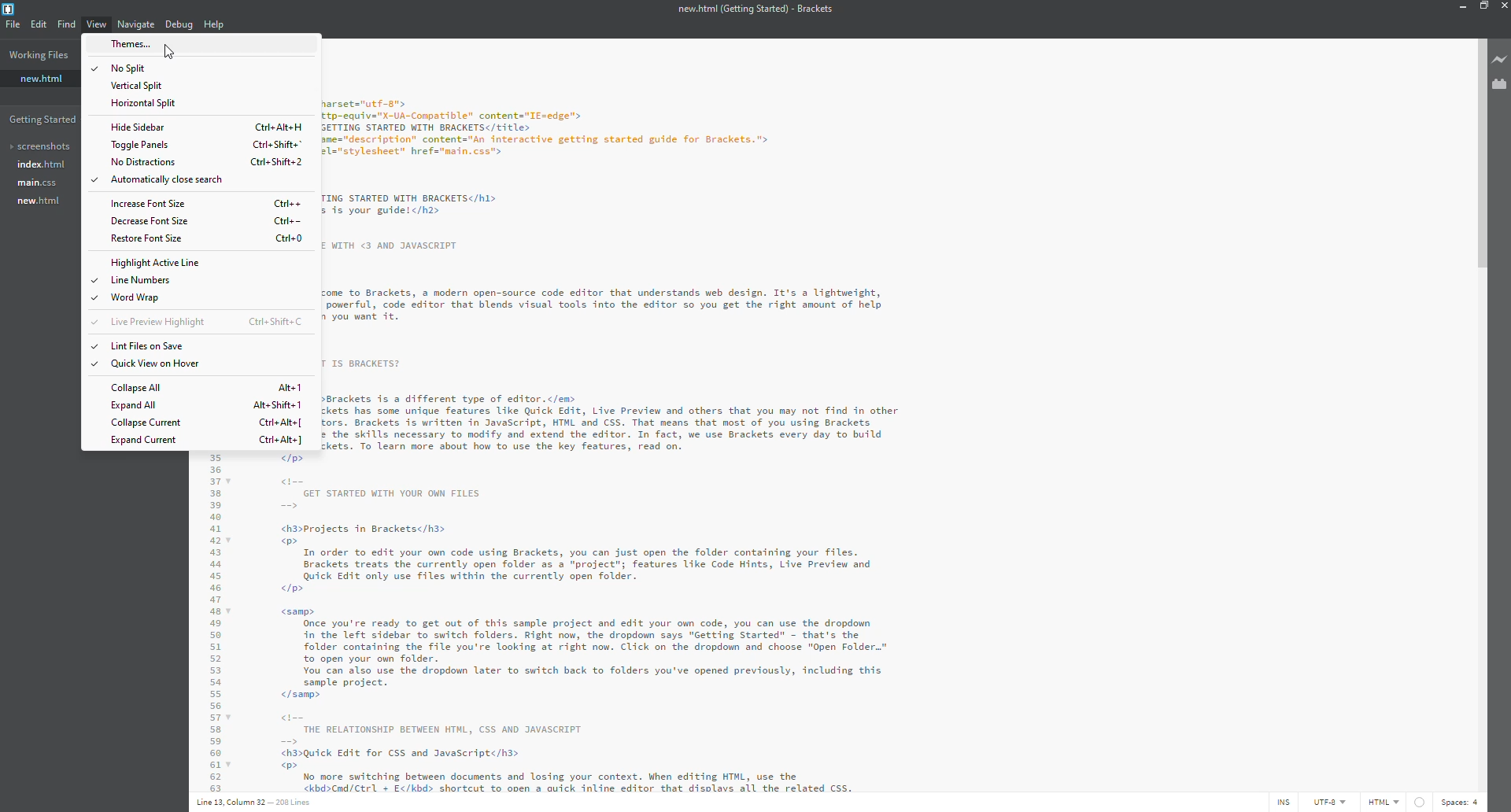 This screenshot has height=812, width=1511. Describe the element at coordinates (1499, 84) in the screenshot. I see `extension manager` at that location.